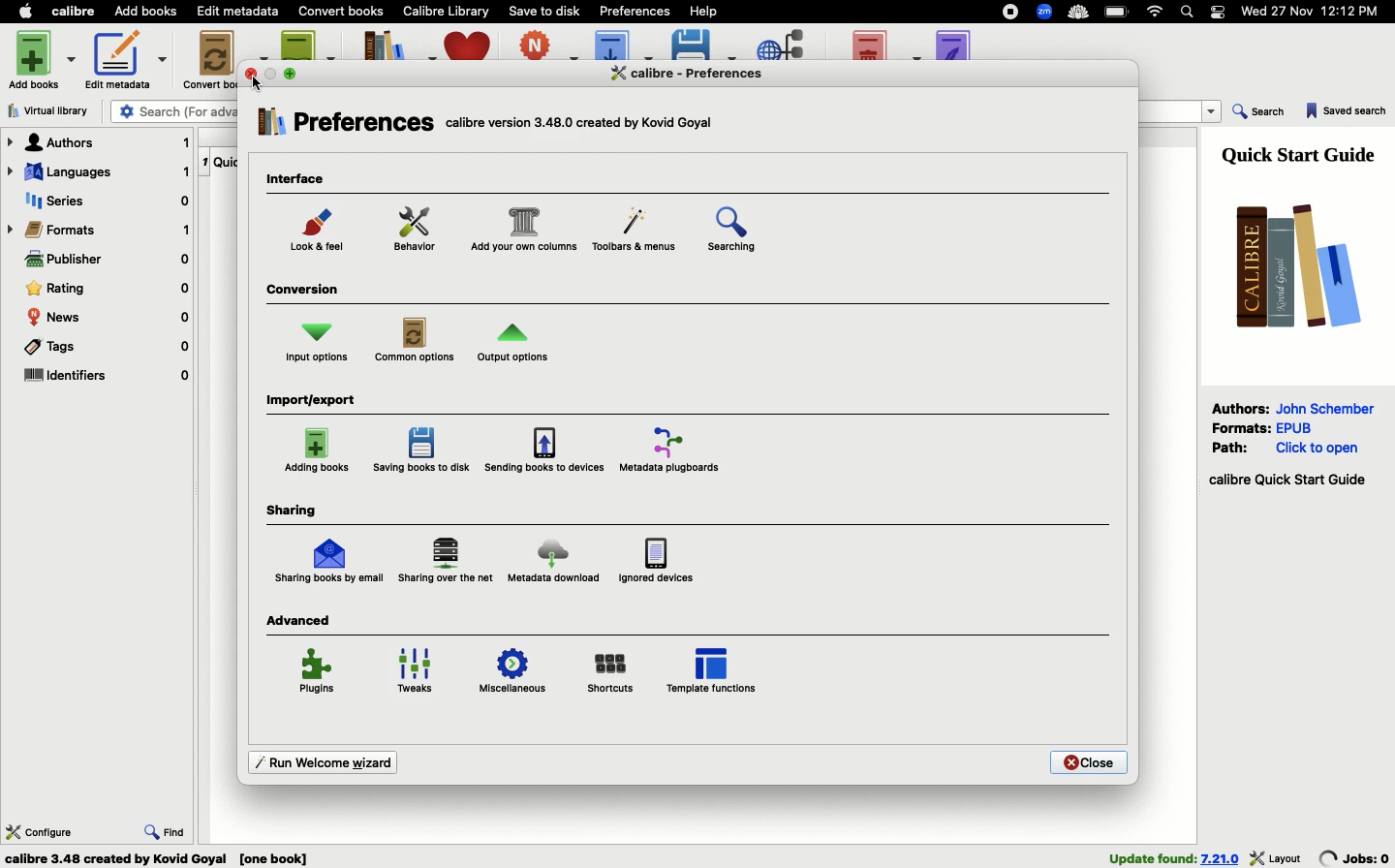 The image size is (1395, 868). Describe the element at coordinates (1347, 112) in the screenshot. I see `Saved search` at that location.